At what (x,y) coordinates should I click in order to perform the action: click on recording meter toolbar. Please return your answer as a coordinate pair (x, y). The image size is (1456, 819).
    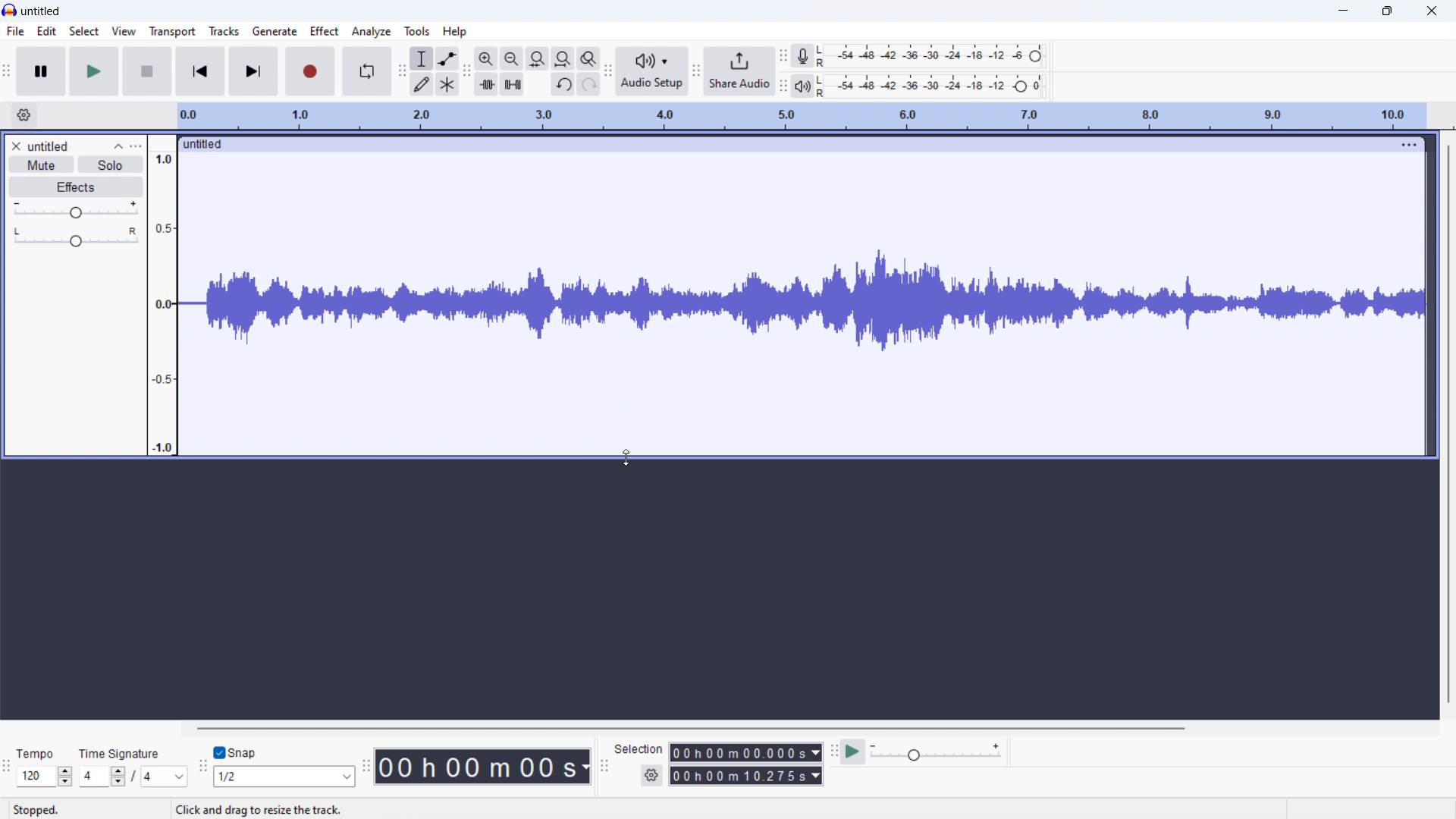
    Looking at the image, I should click on (784, 56).